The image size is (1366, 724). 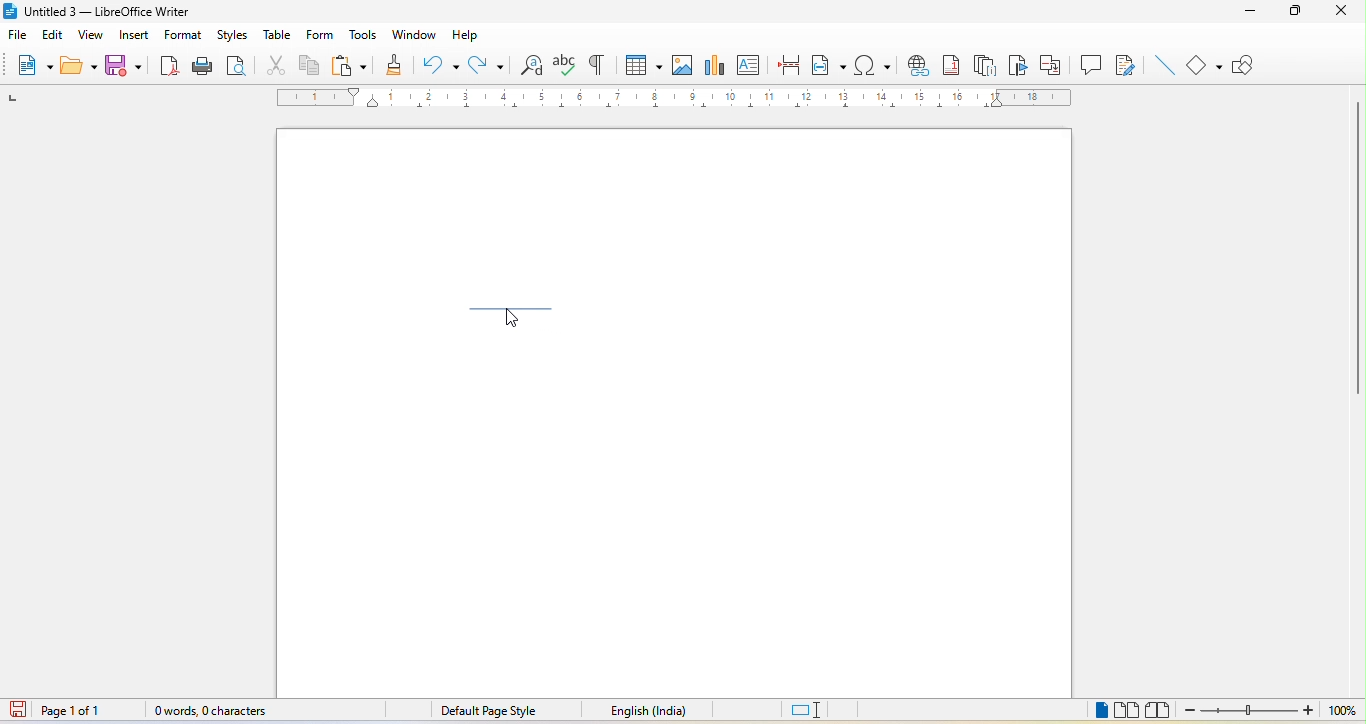 What do you see at coordinates (1247, 65) in the screenshot?
I see `show draw function` at bounding box center [1247, 65].